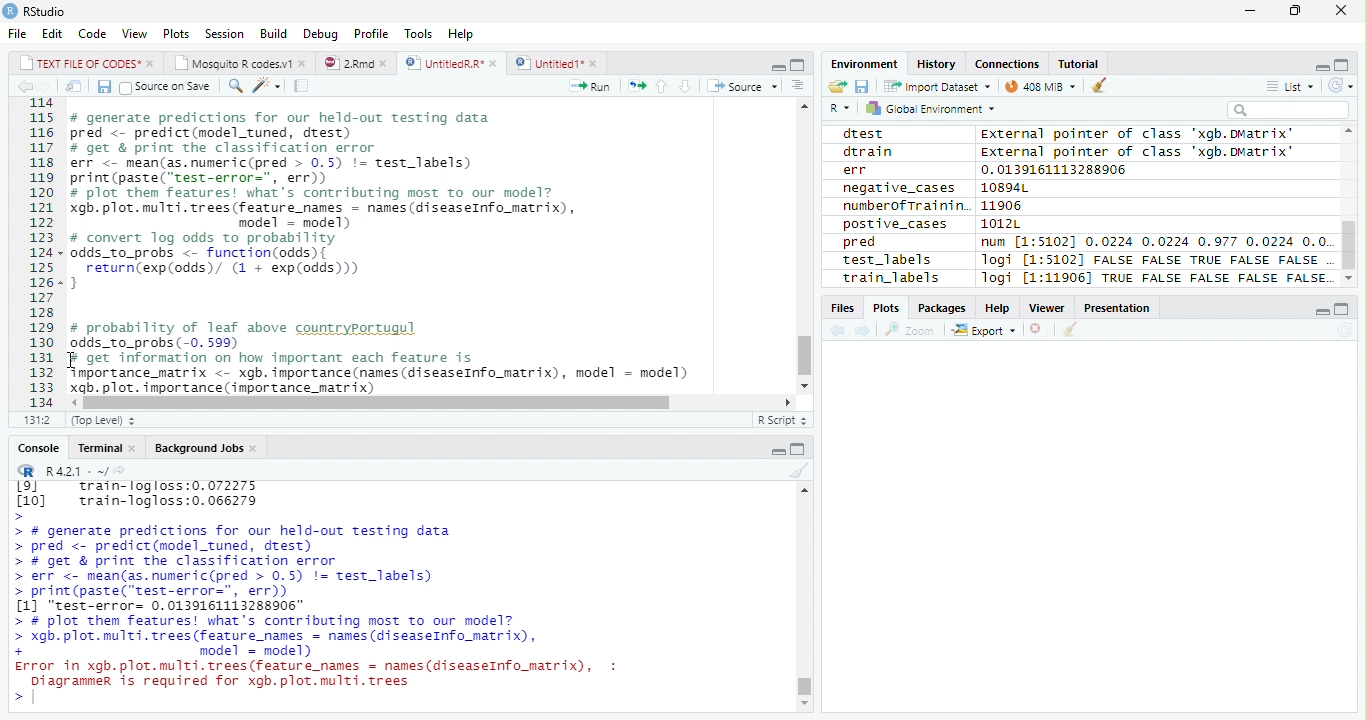  Describe the element at coordinates (1008, 188) in the screenshot. I see `10894L` at that location.